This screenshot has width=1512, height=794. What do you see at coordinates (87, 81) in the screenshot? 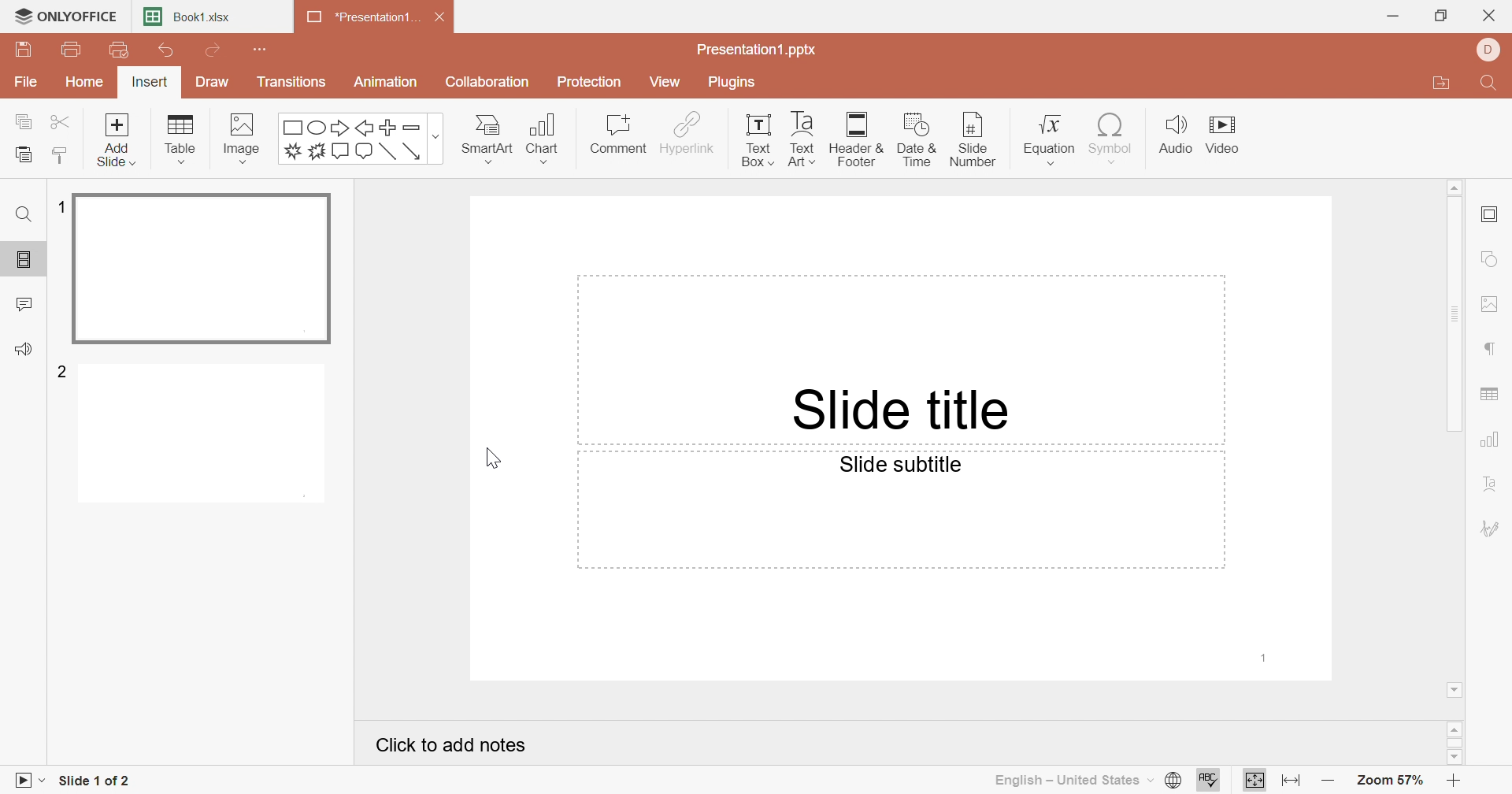
I see `Home` at bounding box center [87, 81].